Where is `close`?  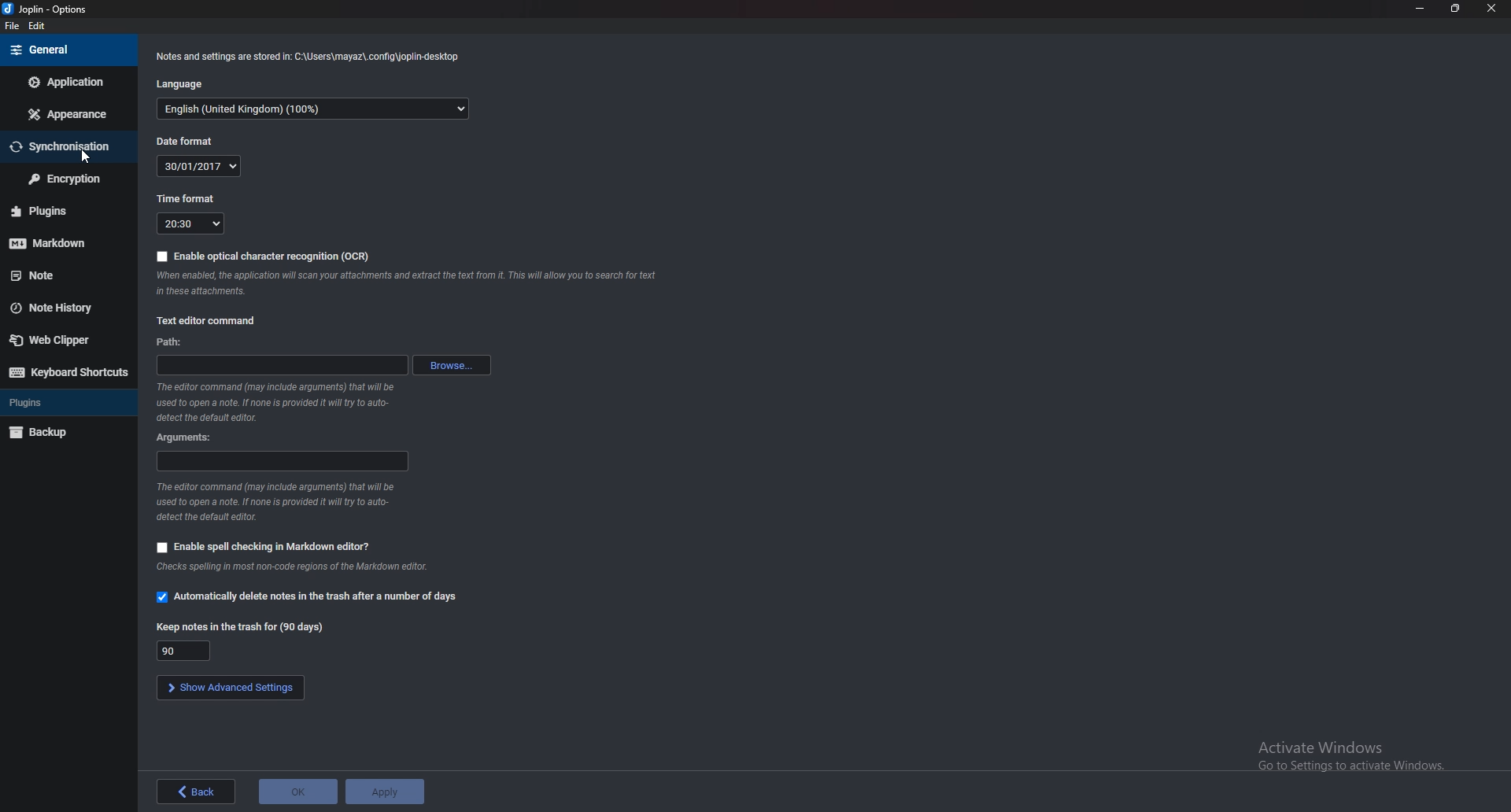
close is located at coordinates (1491, 7).